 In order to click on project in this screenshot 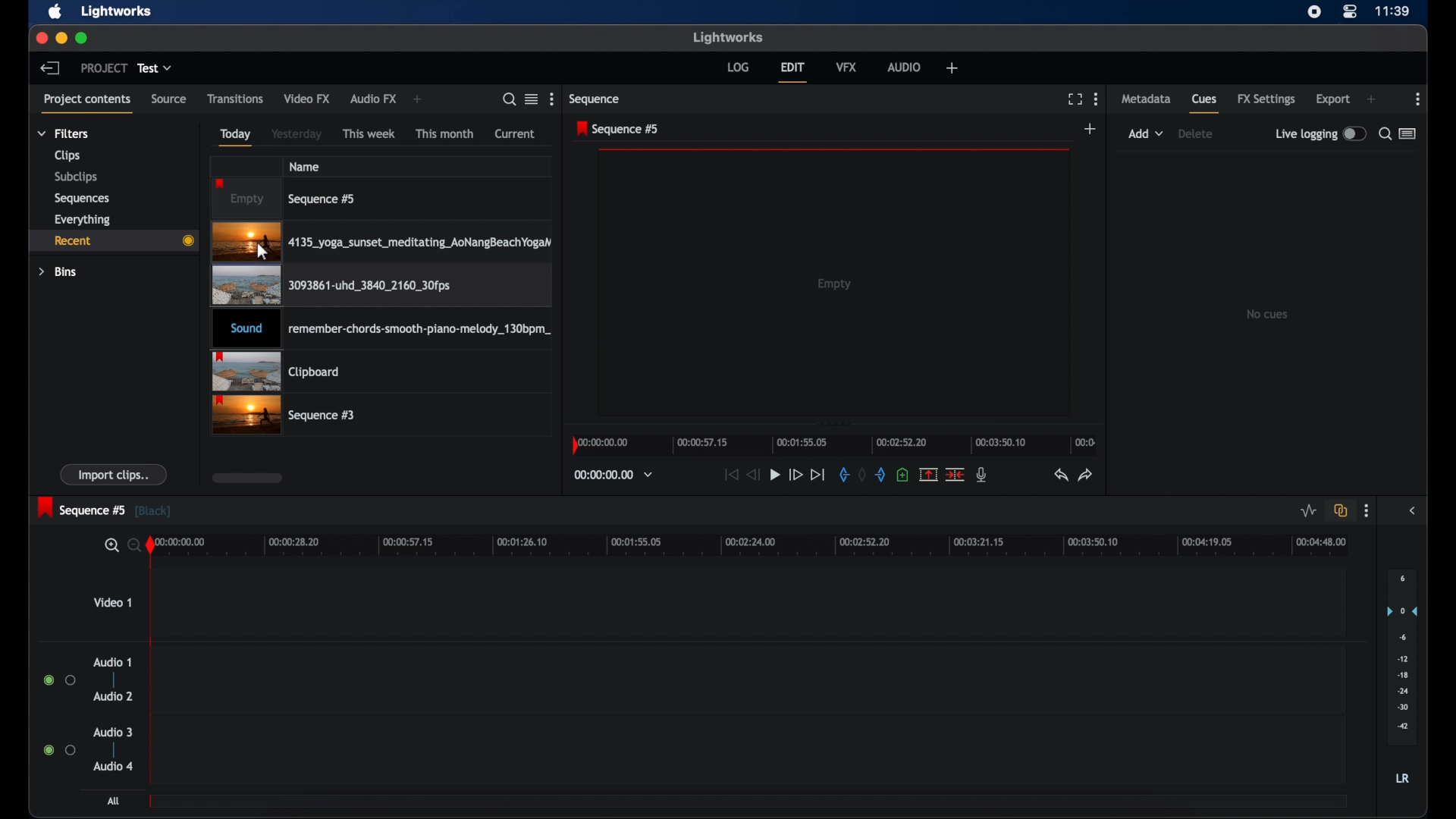, I will do `click(103, 67)`.